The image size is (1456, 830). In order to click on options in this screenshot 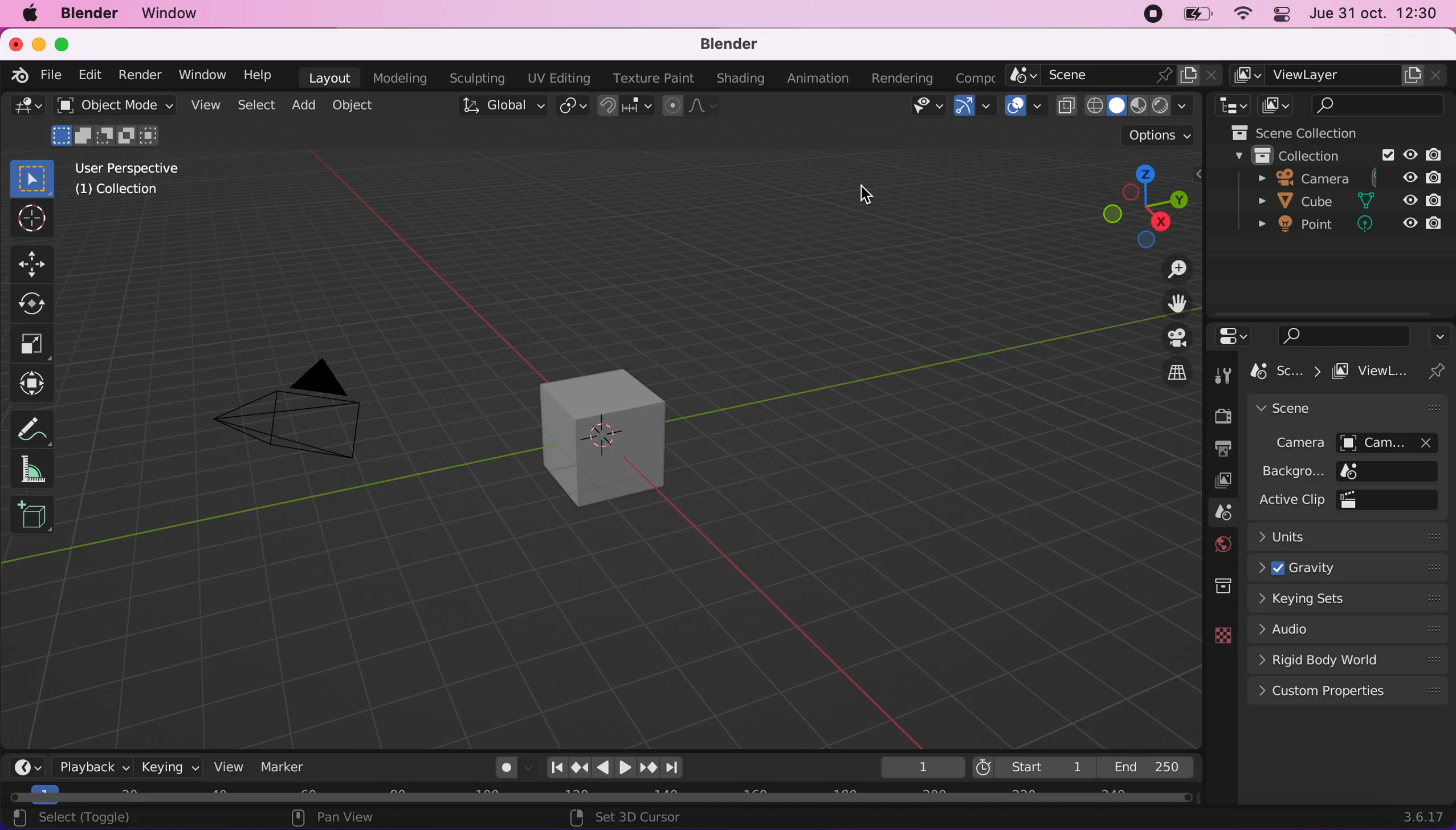, I will do `click(1159, 137)`.